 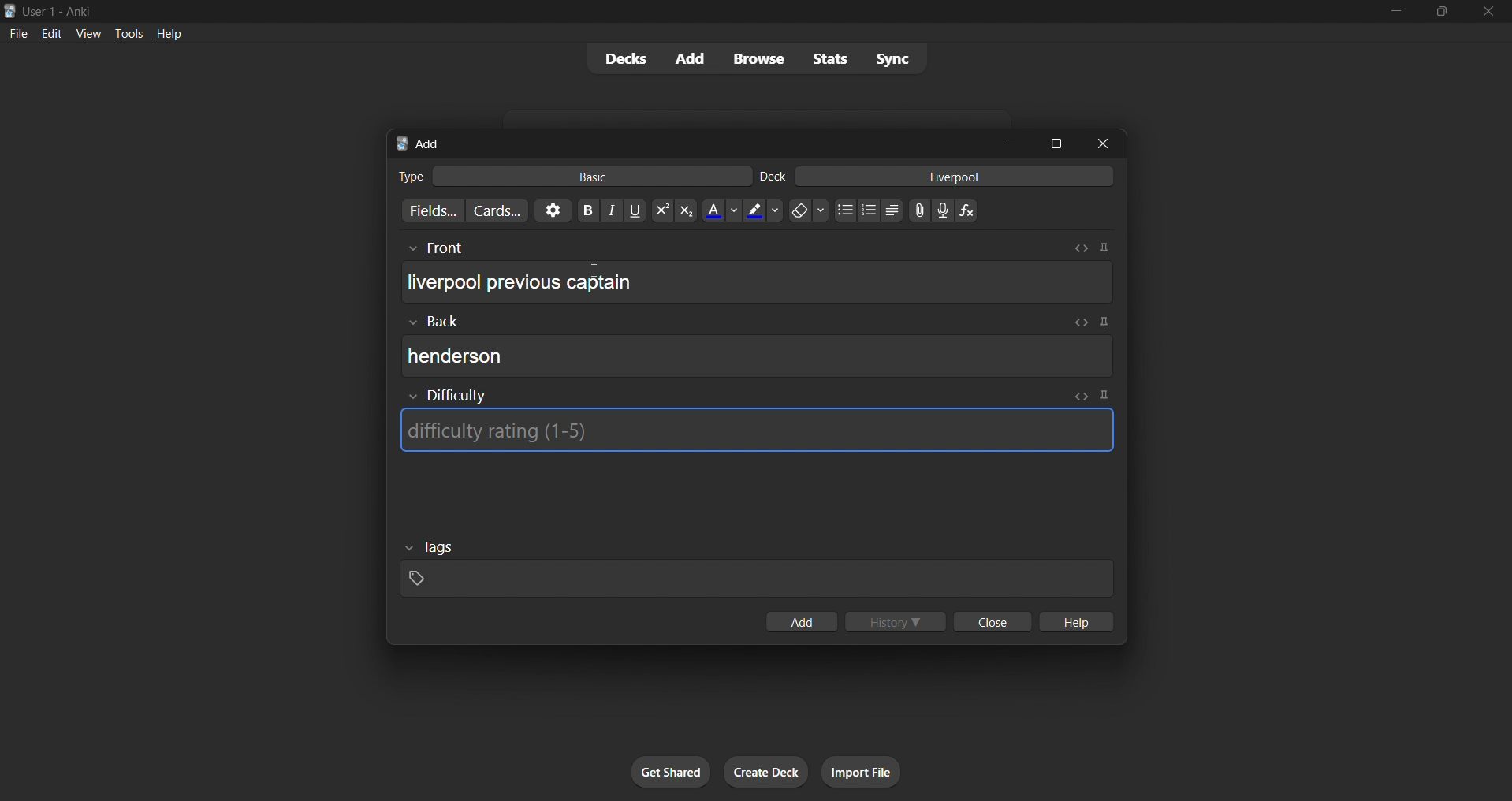 What do you see at coordinates (425, 212) in the screenshot?
I see `customize fields` at bounding box center [425, 212].